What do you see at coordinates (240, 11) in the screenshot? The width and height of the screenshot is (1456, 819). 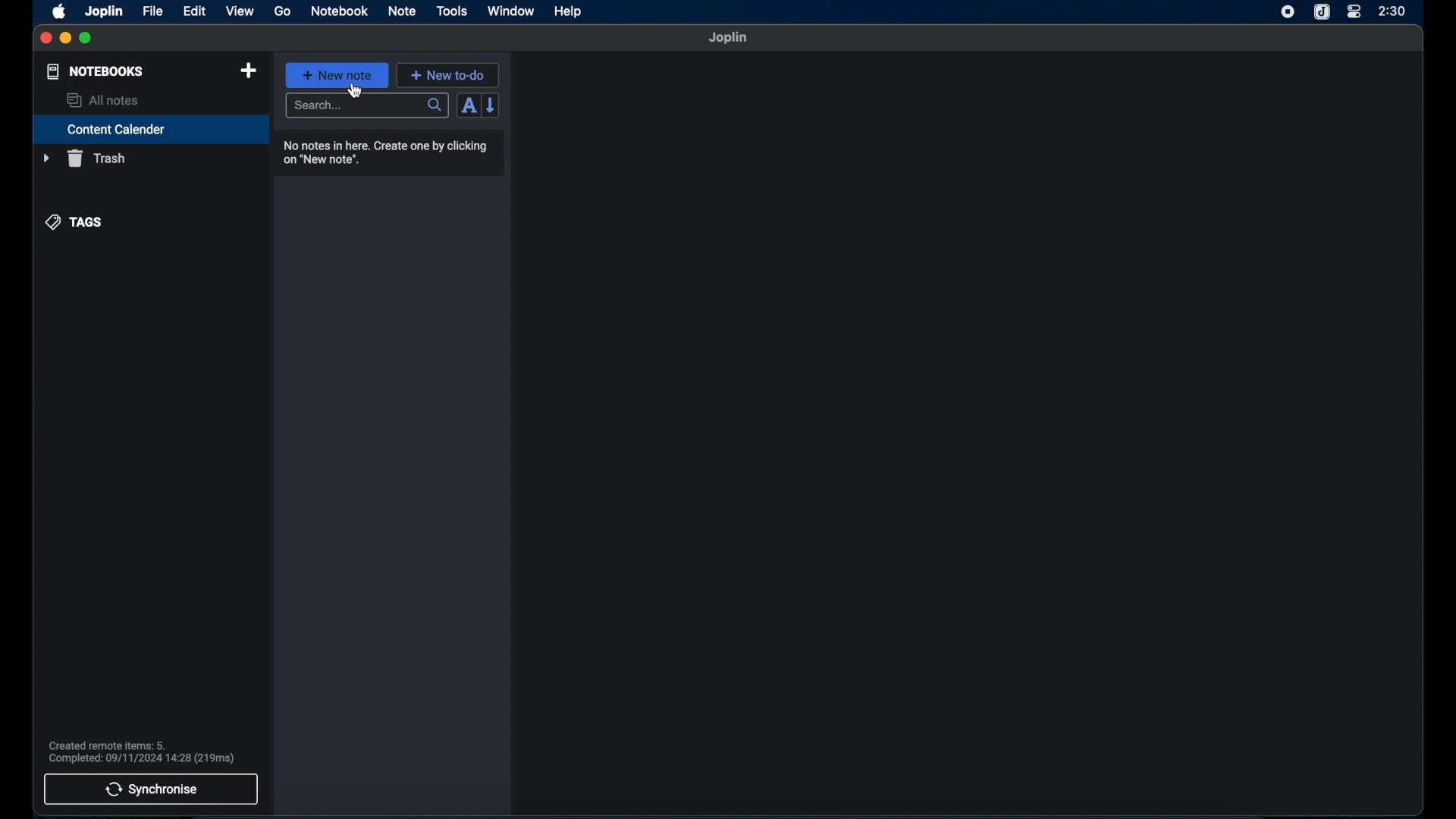 I see `view` at bounding box center [240, 11].